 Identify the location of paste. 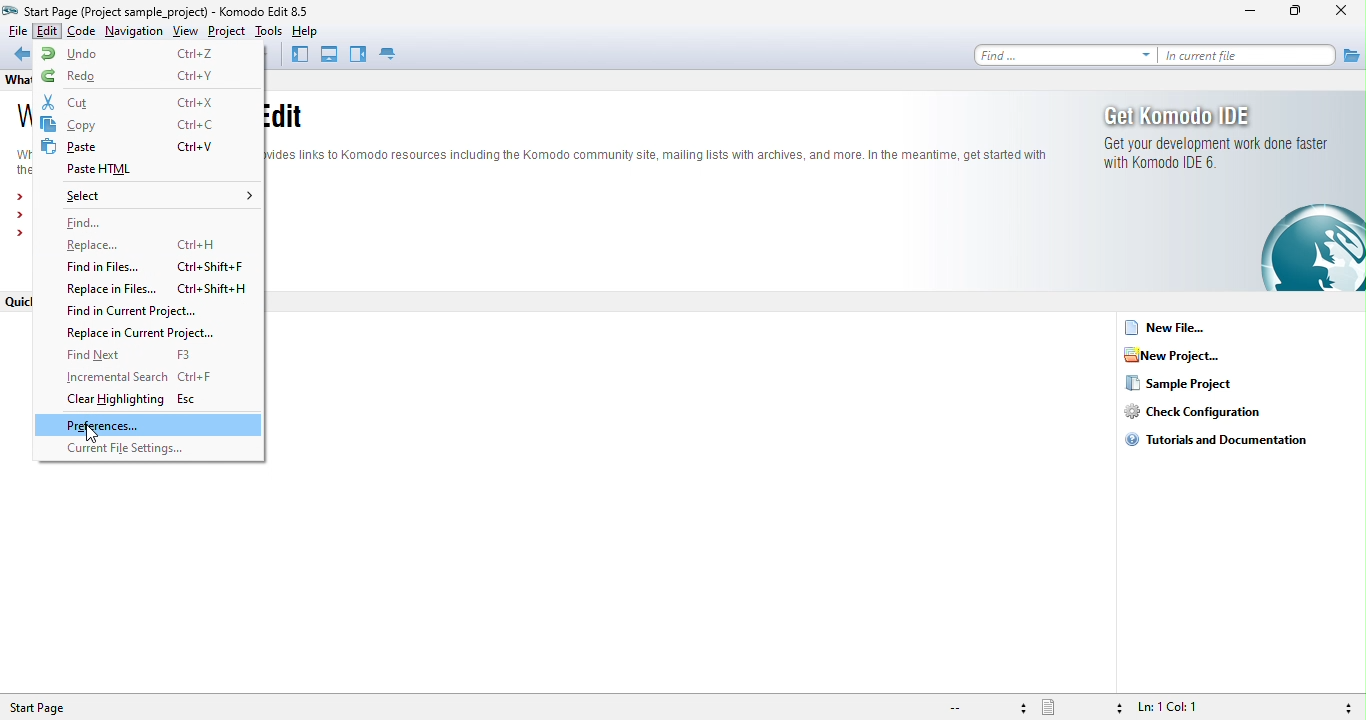
(149, 147).